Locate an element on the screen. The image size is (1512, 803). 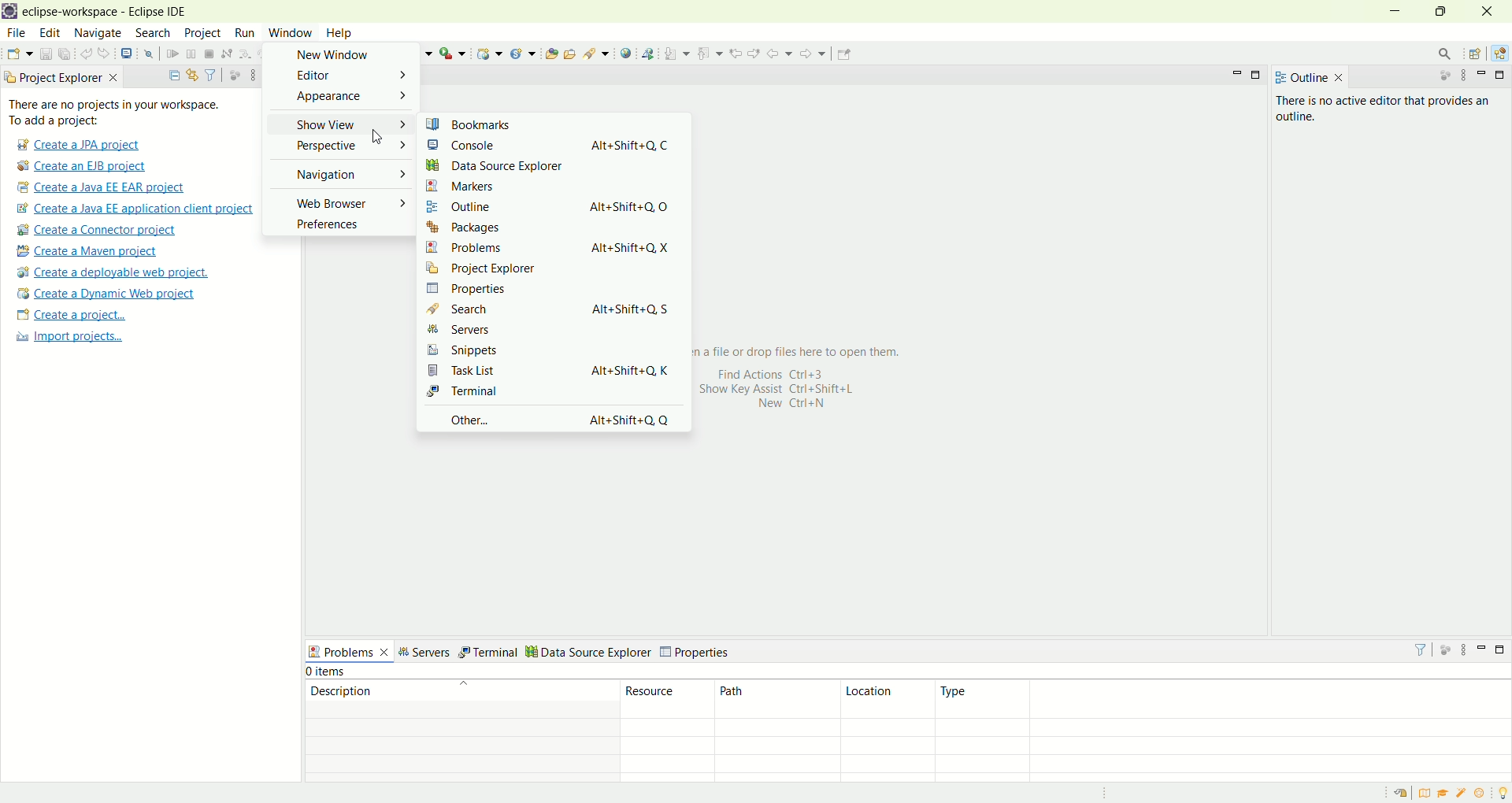
Find Actions Ctrl+3 show key Assist Ctrl+shift+L New Ctrl+N is located at coordinates (793, 394).